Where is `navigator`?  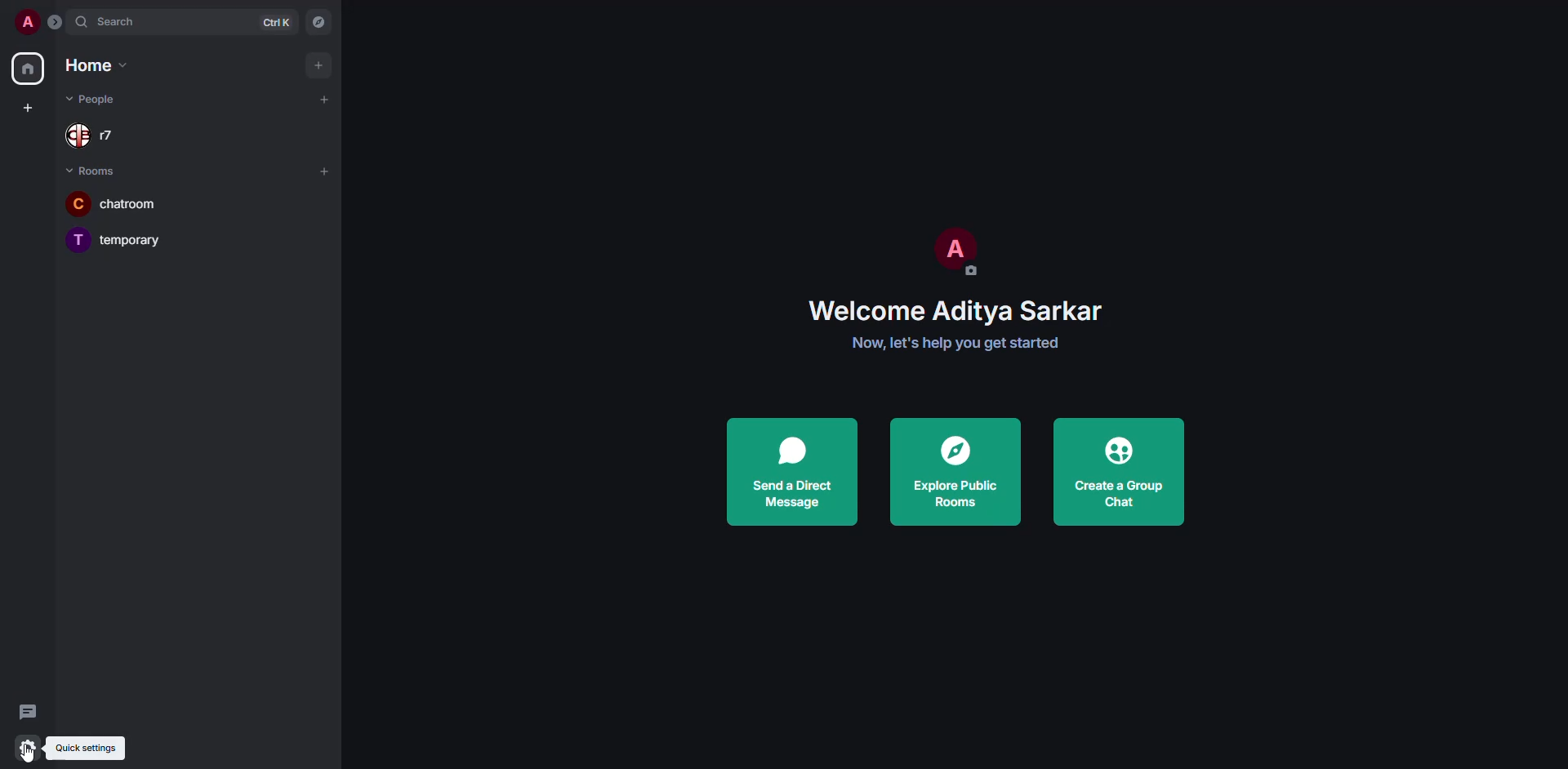
navigator is located at coordinates (318, 23).